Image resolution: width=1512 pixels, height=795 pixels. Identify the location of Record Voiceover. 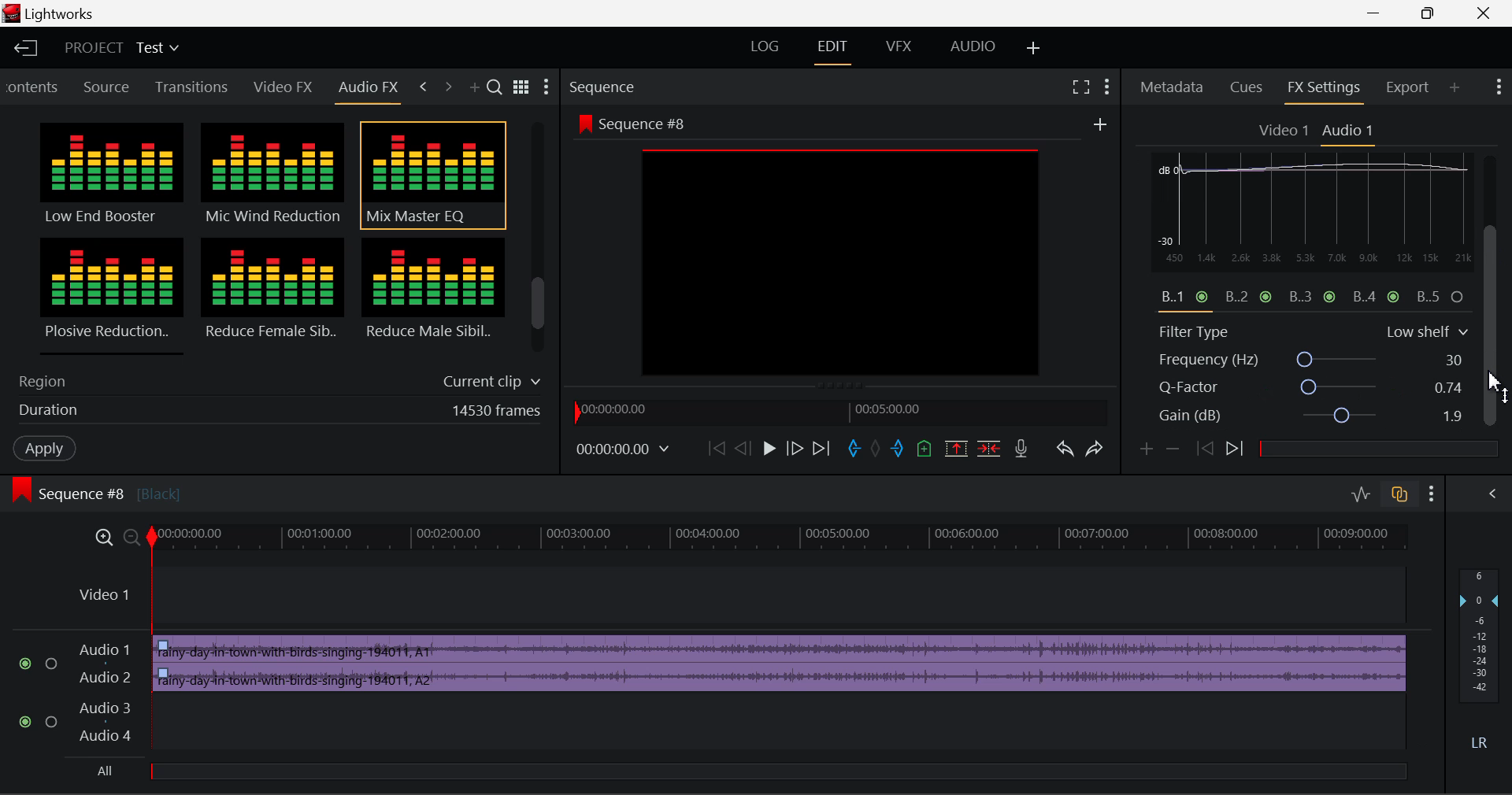
(1020, 449).